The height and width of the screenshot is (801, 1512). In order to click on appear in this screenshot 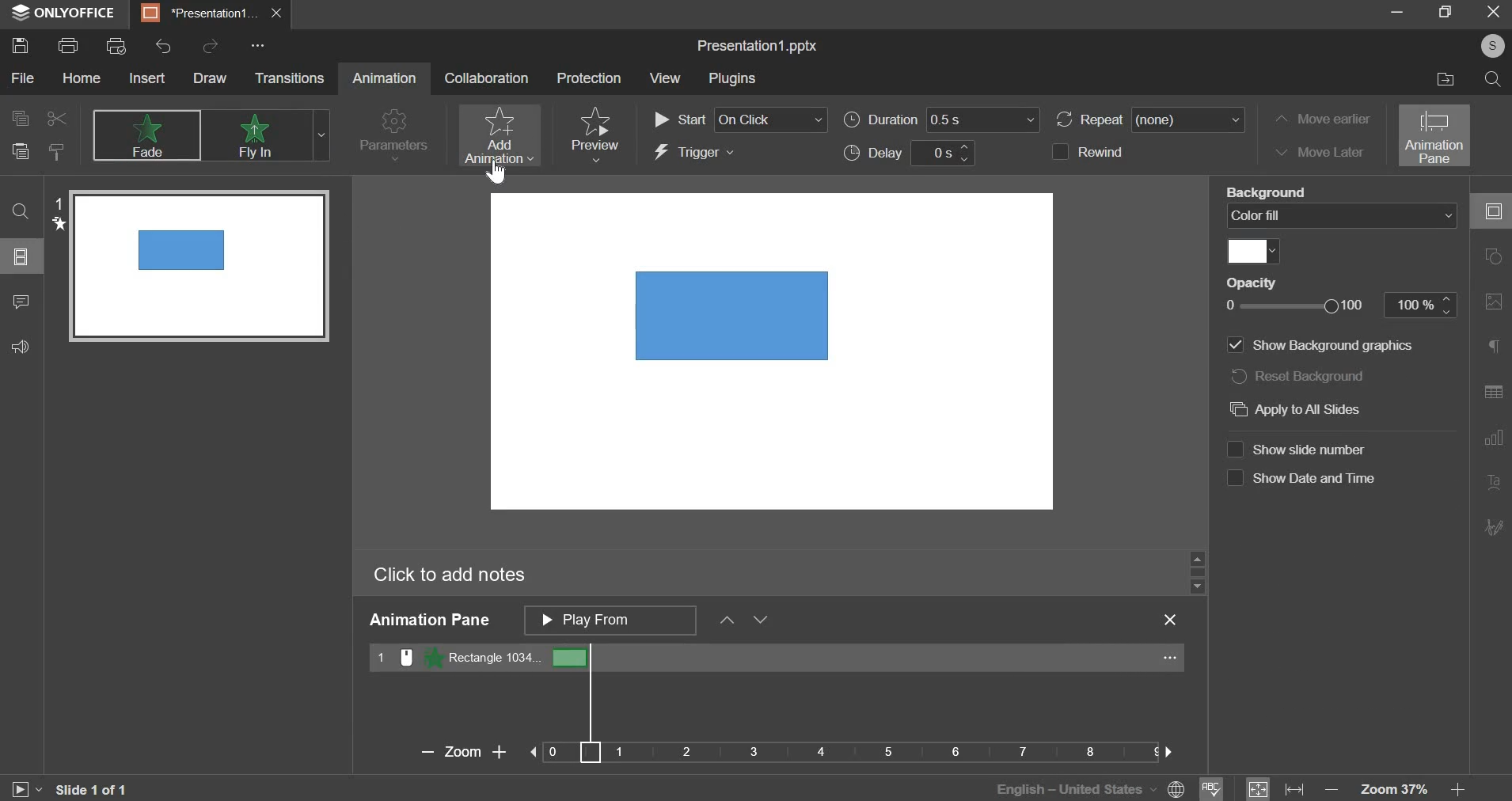, I will do `click(259, 135)`.